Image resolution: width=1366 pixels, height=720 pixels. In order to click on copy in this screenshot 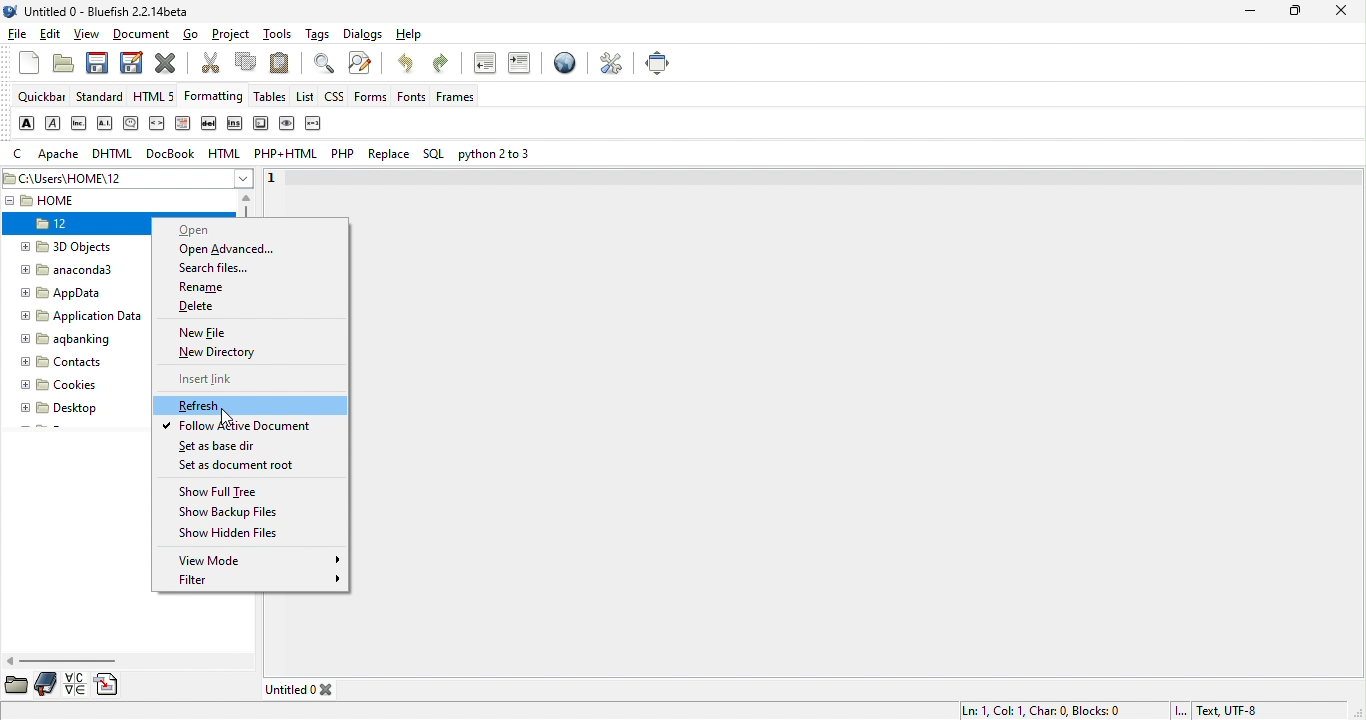, I will do `click(247, 65)`.